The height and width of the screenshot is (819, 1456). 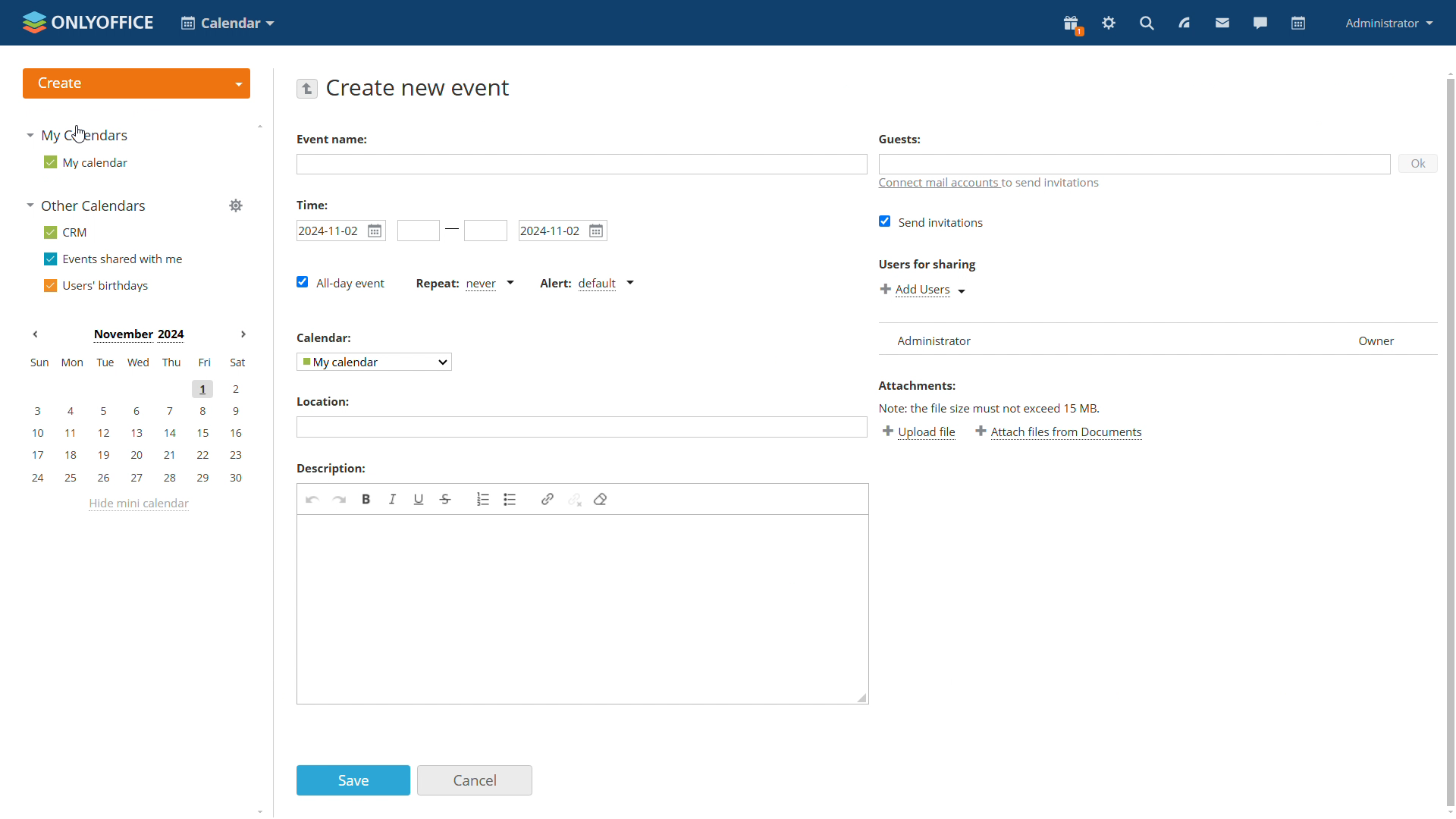 I want to click on settings, so click(x=1109, y=24).